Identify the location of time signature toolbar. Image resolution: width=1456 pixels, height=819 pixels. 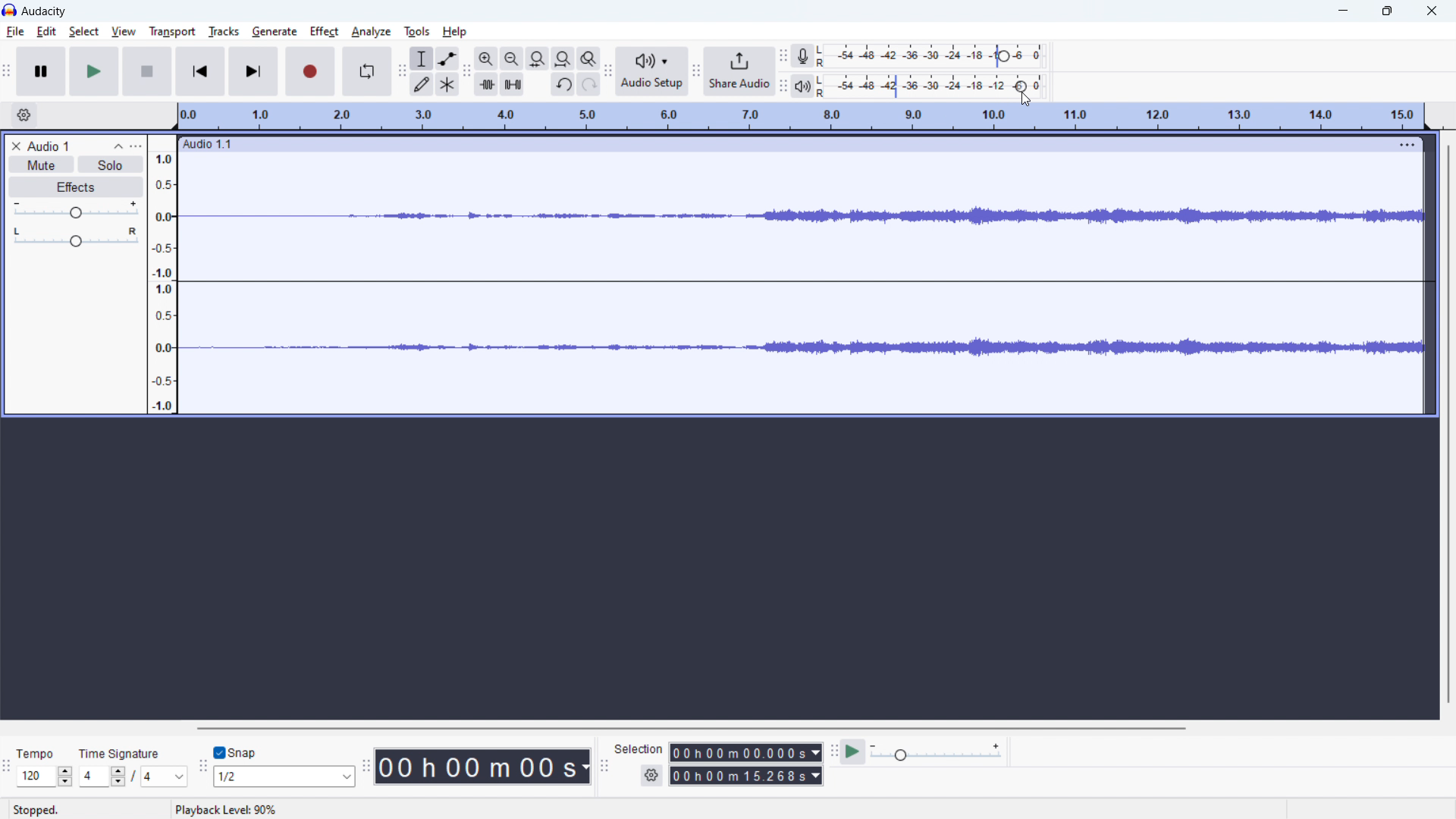
(7, 763).